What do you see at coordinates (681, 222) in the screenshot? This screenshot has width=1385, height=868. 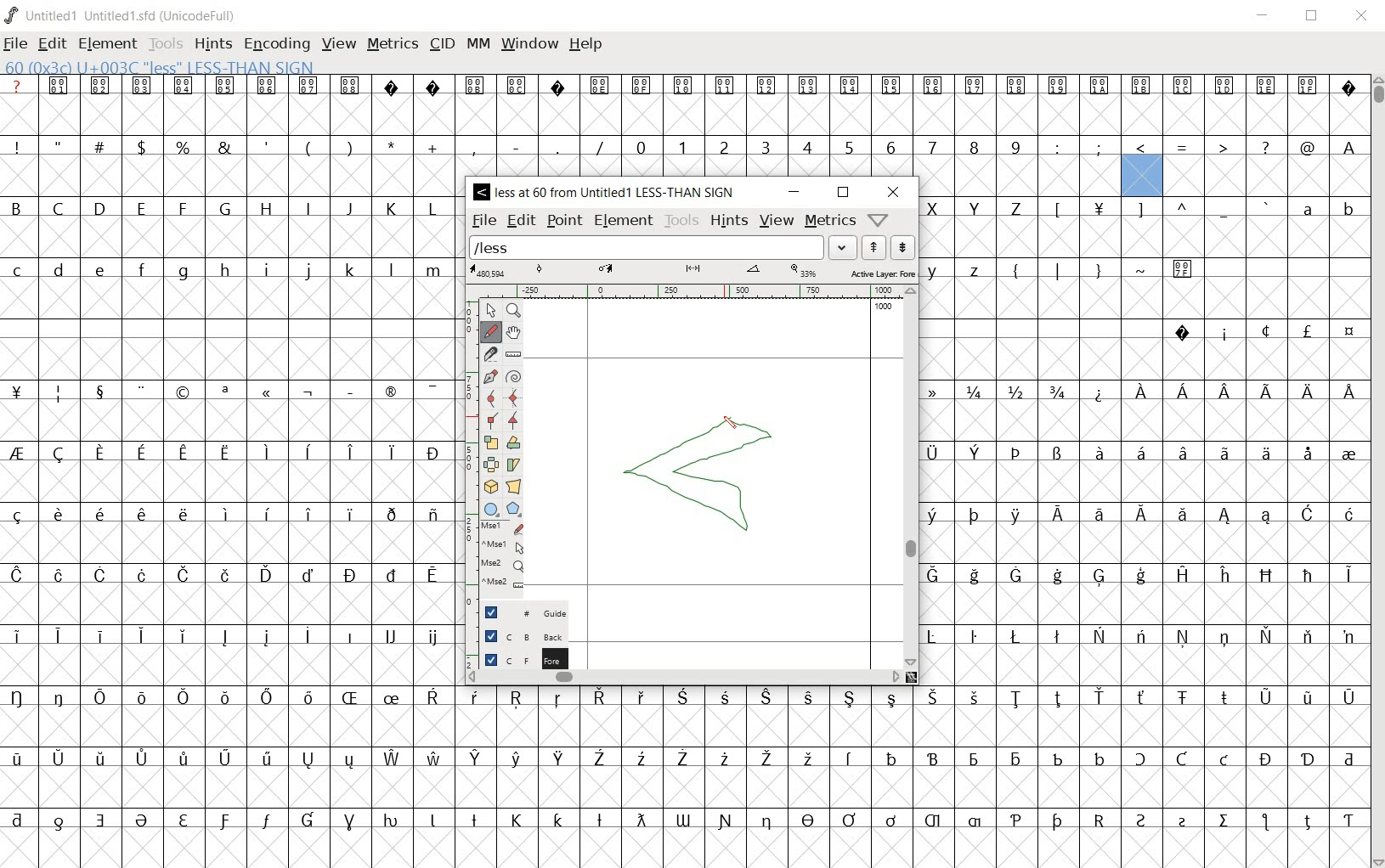 I see `tools` at bounding box center [681, 222].